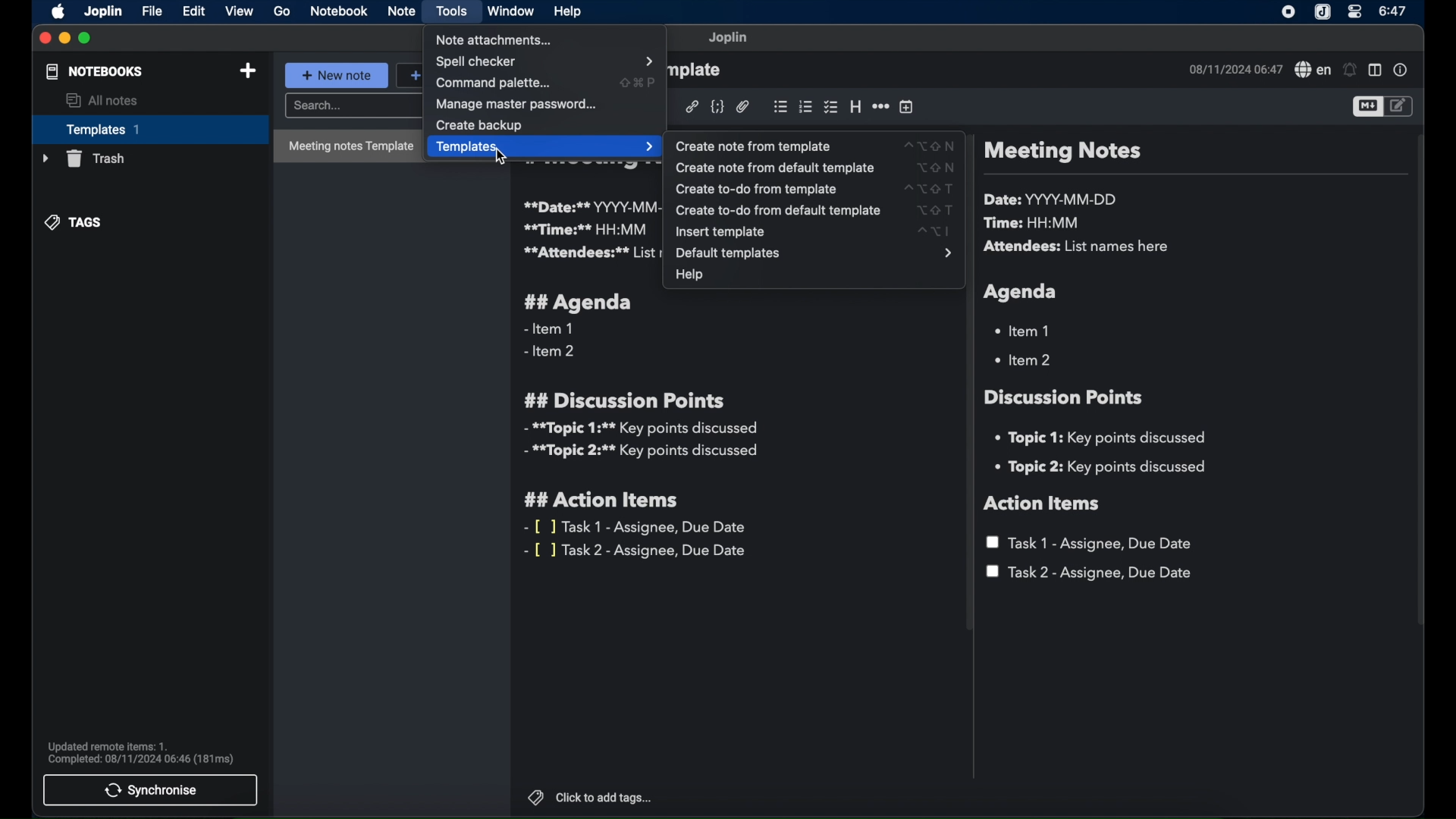 The height and width of the screenshot is (819, 1456). Describe the element at coordinates (729, 38) in the screenshot. I see `Joplin` at that location.